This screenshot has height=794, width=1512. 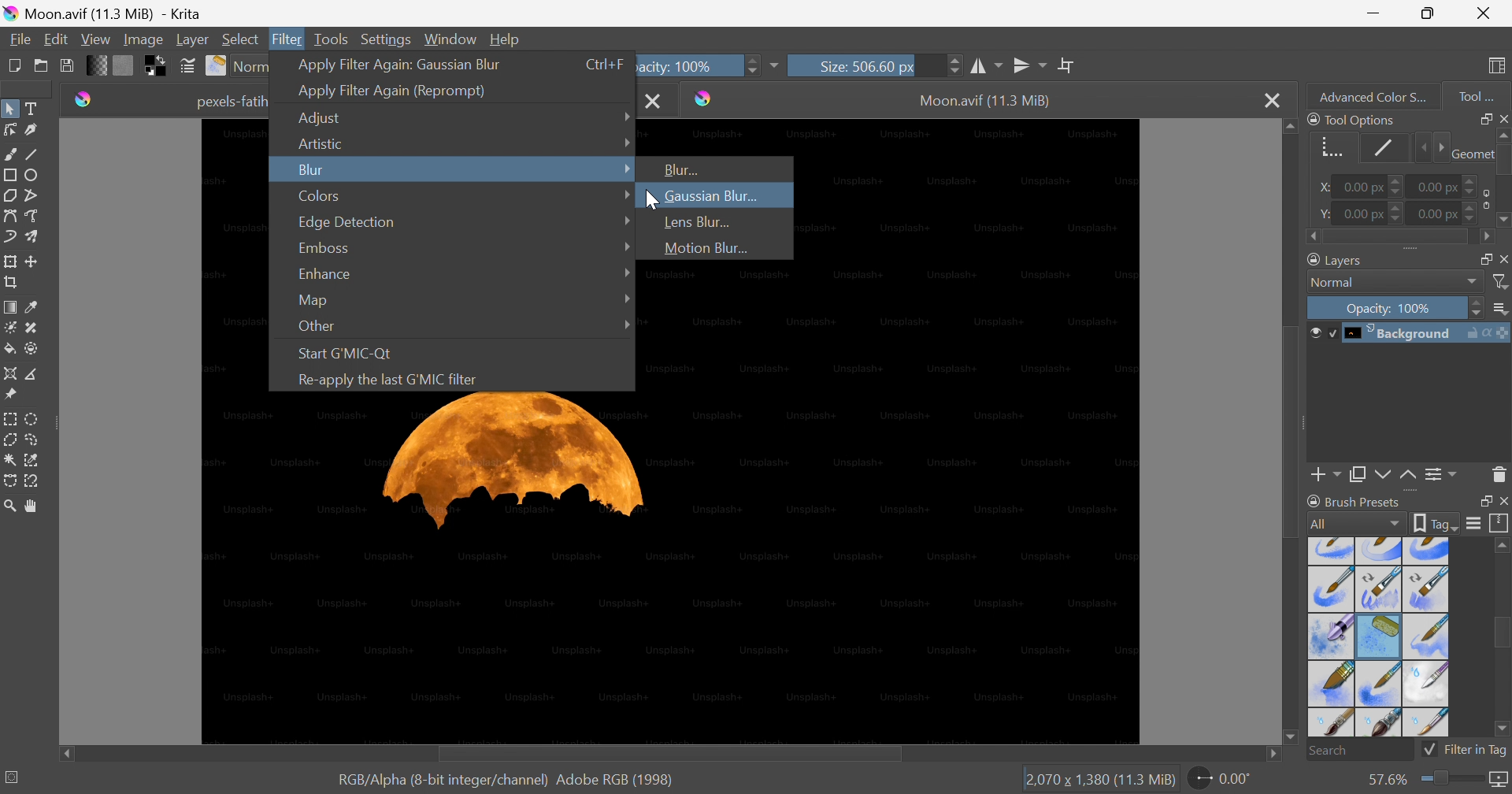 What do you see at coordinates (1379, 636) in the screenshot?
I see `Types of brush` at bounding box center [1379, 636].